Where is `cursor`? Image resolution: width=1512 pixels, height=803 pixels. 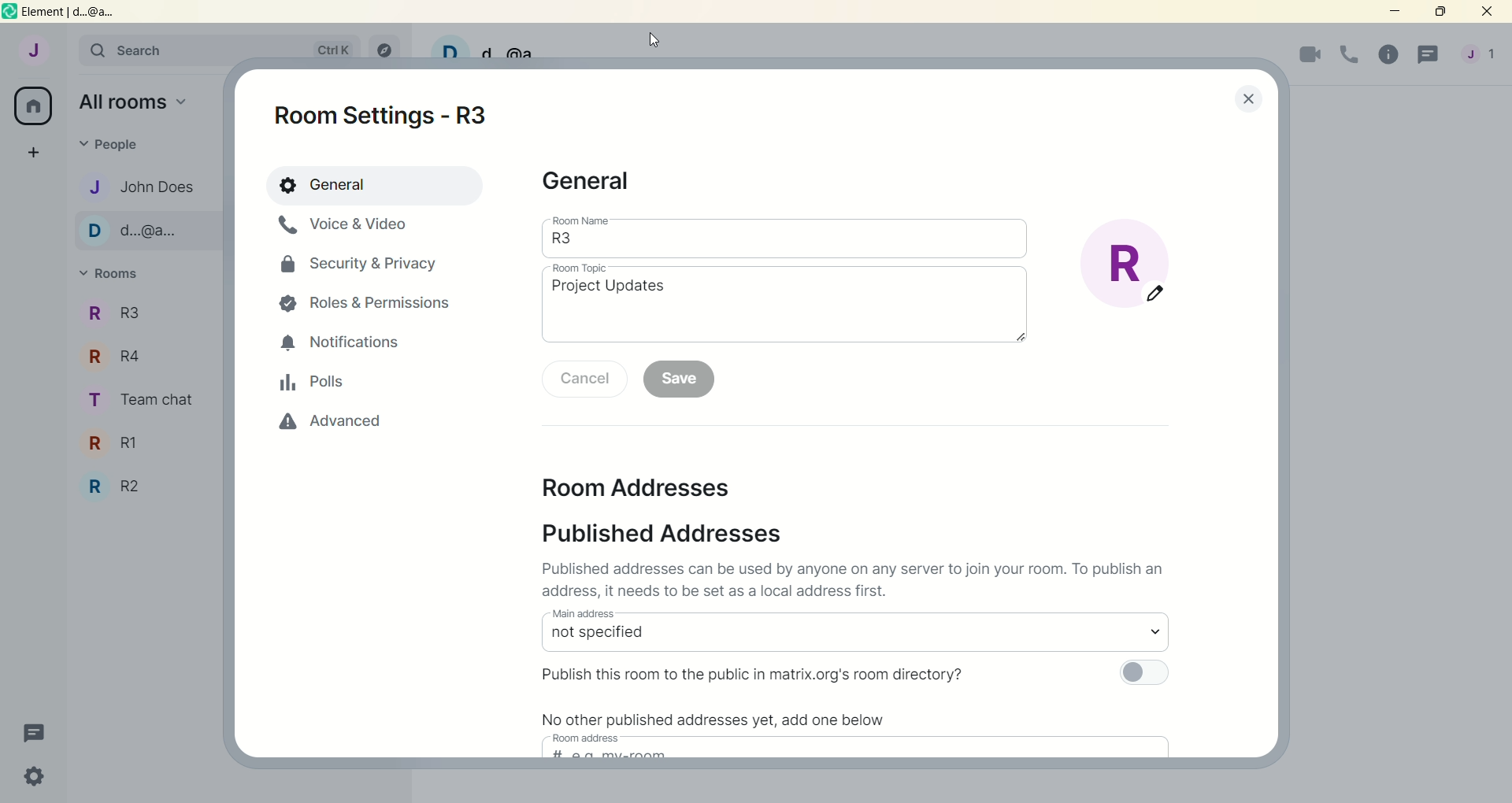
cursor is located at coordinates (654, 41).